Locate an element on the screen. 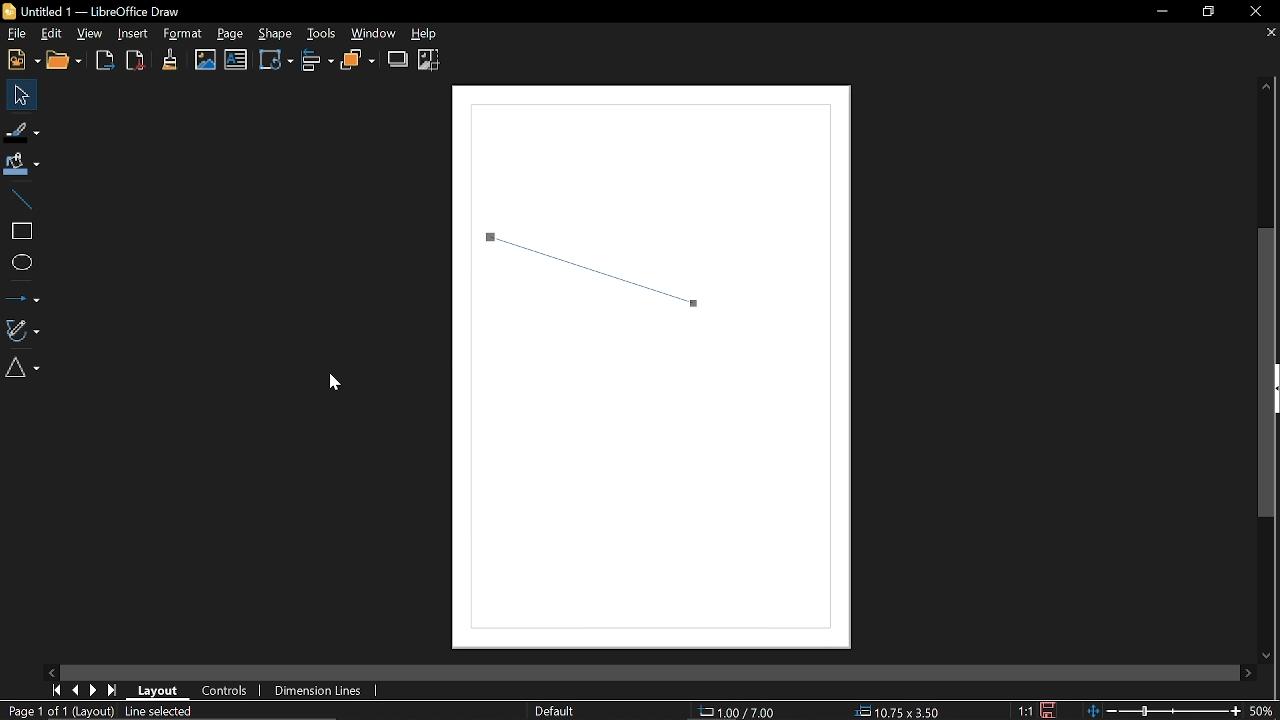 This screenshot has width=1280, height=720. Format is located at coordinates (182, 34).